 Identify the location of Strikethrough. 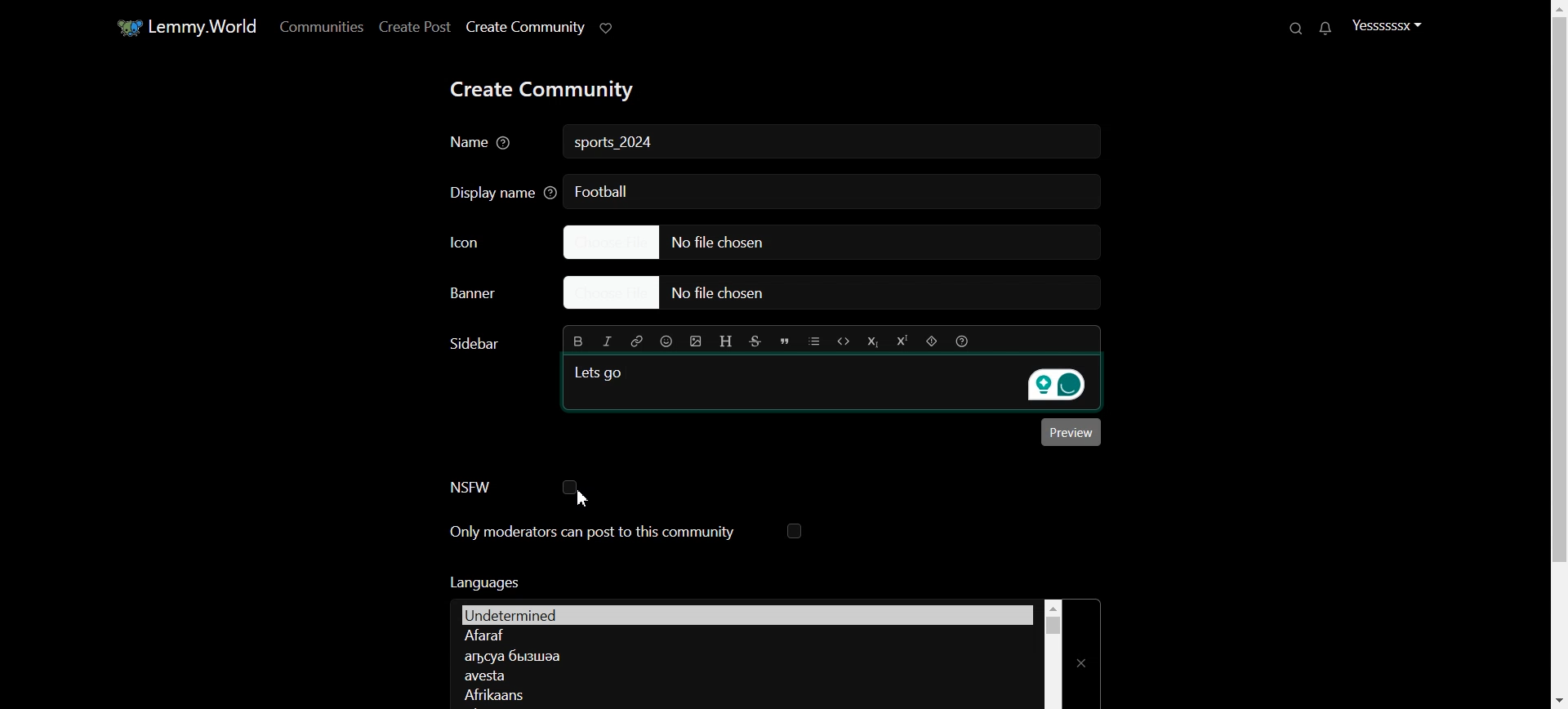
(756, 341).